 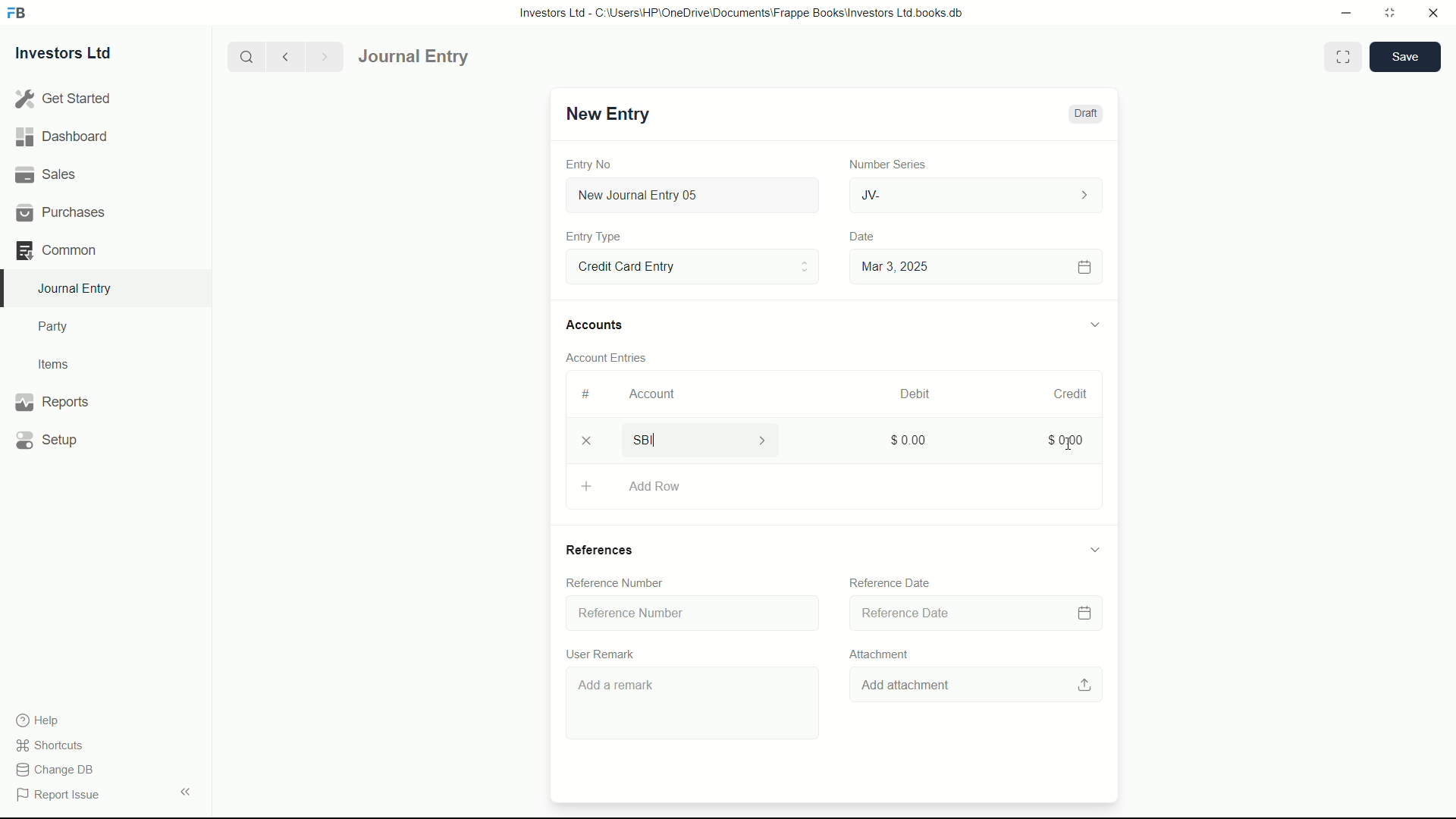 What do you see at coordinates (185, 790) in the screenshot?
I see `expand/collapse` at bounding box center [185, 790].